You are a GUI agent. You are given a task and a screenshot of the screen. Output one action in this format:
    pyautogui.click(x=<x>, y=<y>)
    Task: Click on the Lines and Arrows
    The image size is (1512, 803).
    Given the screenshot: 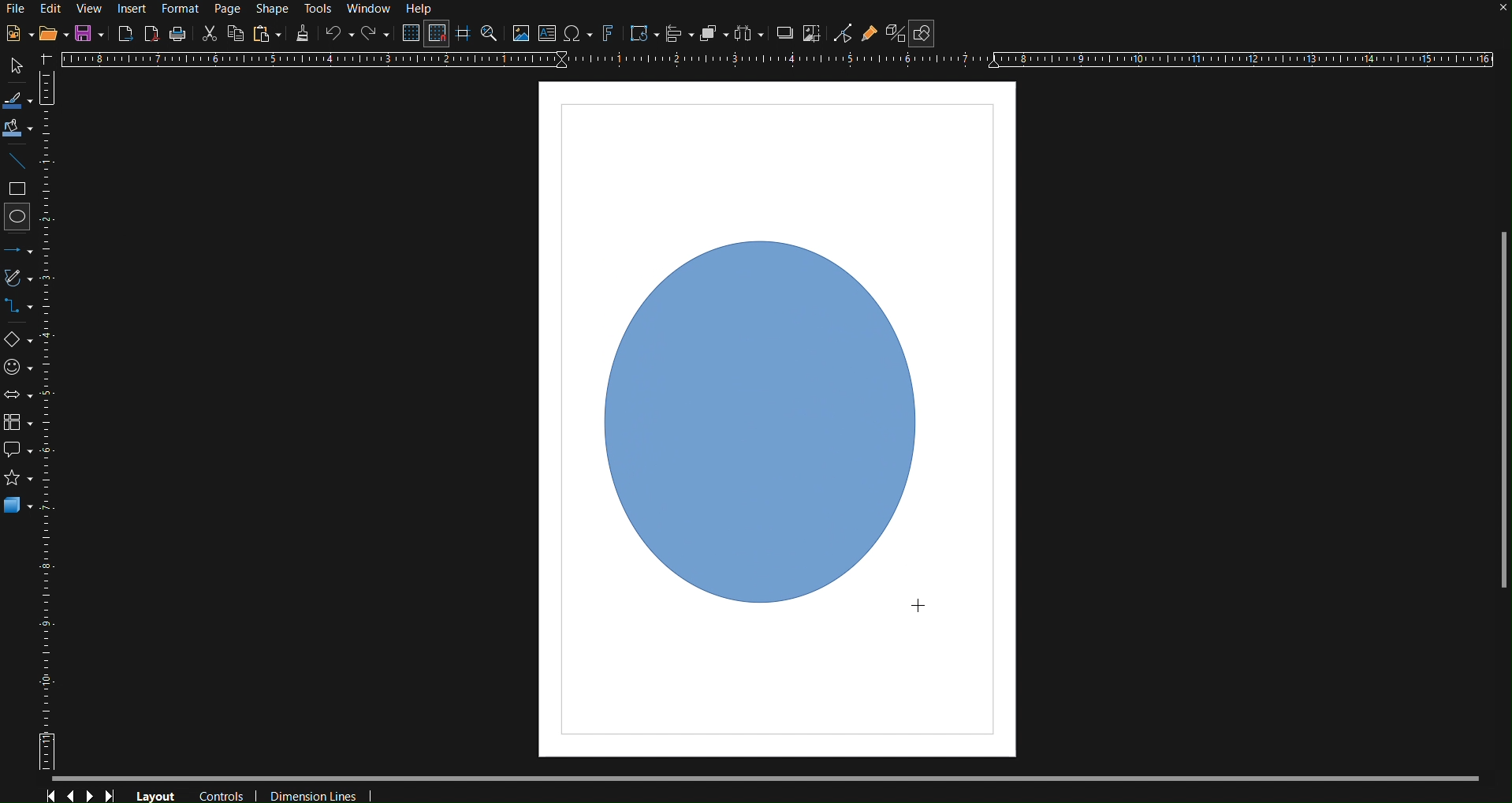 What is the action you would take?
    pyautogui.click(x=23, y=249)
    